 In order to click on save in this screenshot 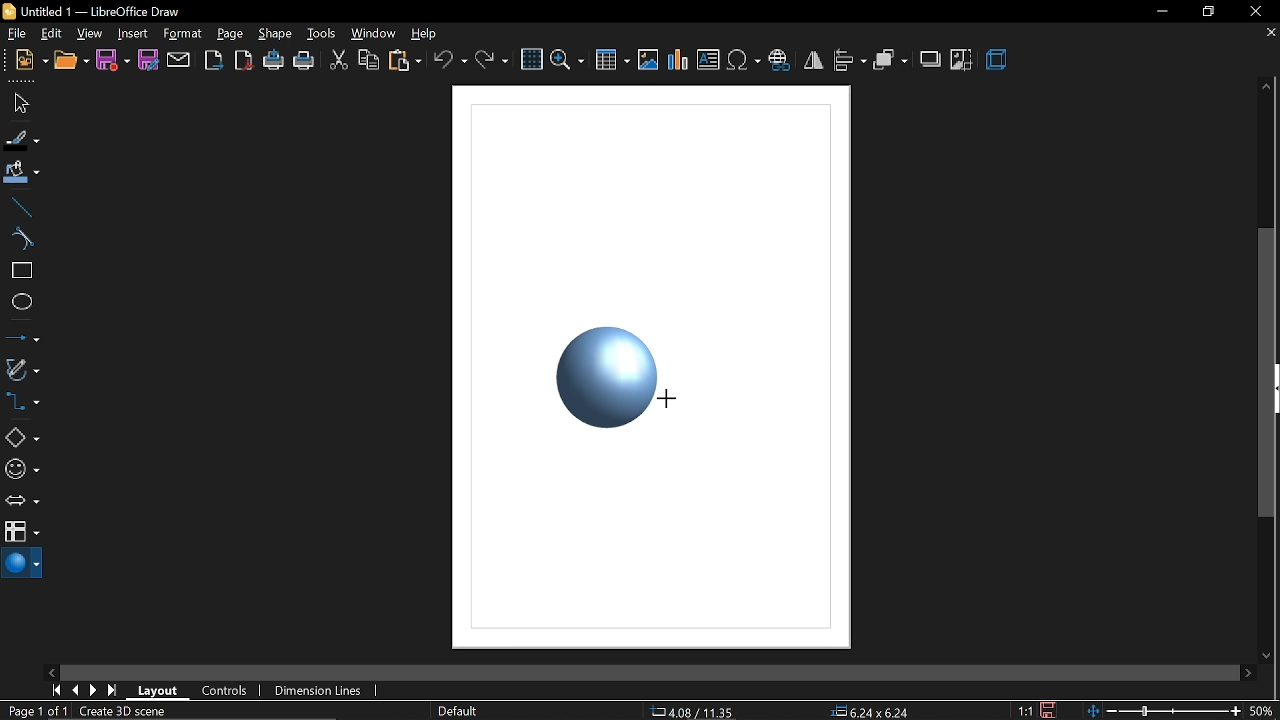, I will do `click(1052, 709)`.